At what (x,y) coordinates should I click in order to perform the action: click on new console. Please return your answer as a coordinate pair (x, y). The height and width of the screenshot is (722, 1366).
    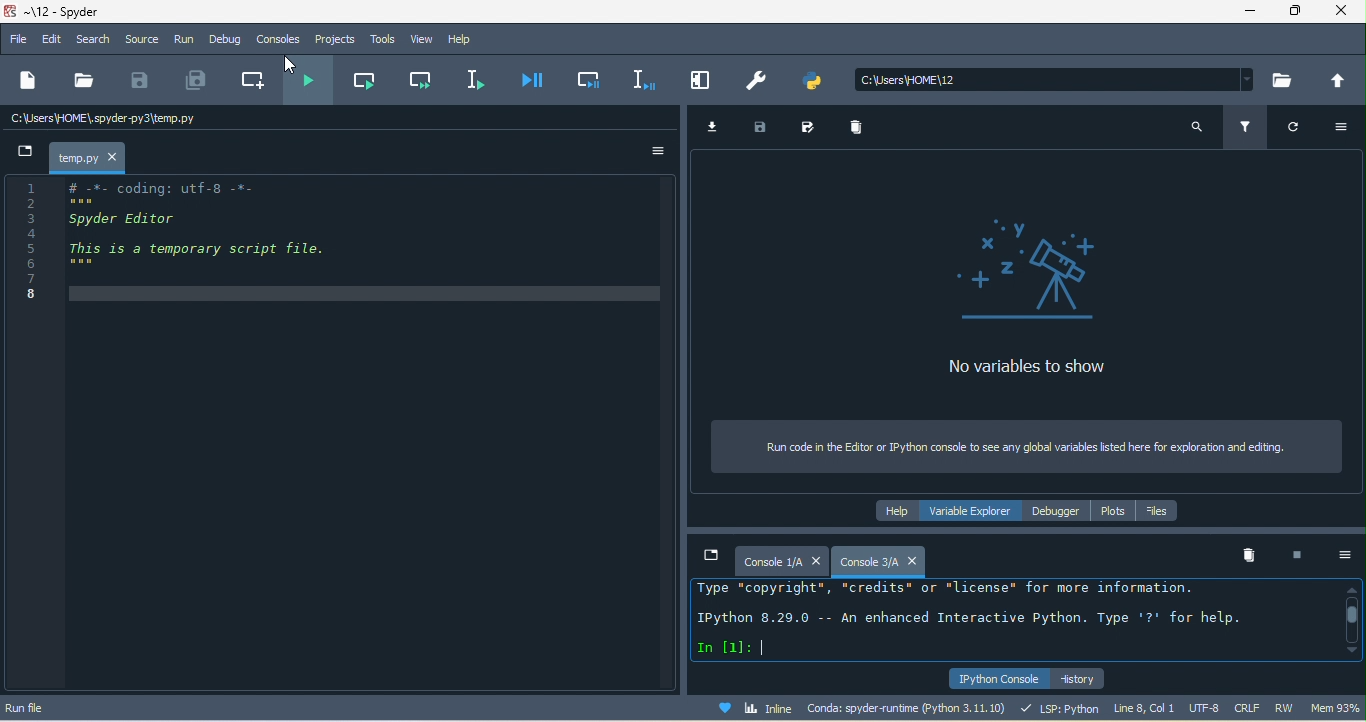
    Looking at the image, I should click on (879, 560).